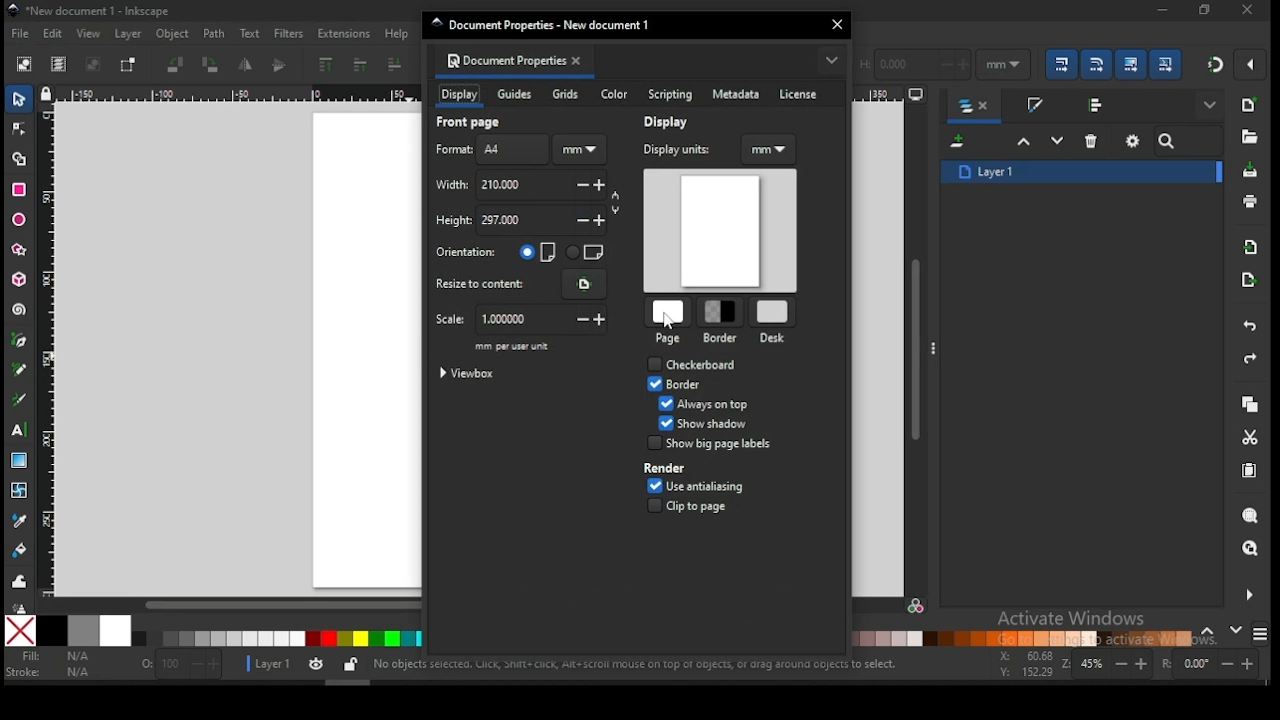 This screenshot has height=720, width=1280. Describe the element at coordinates (721, 339) in the screenshot. I see `border` at that location.